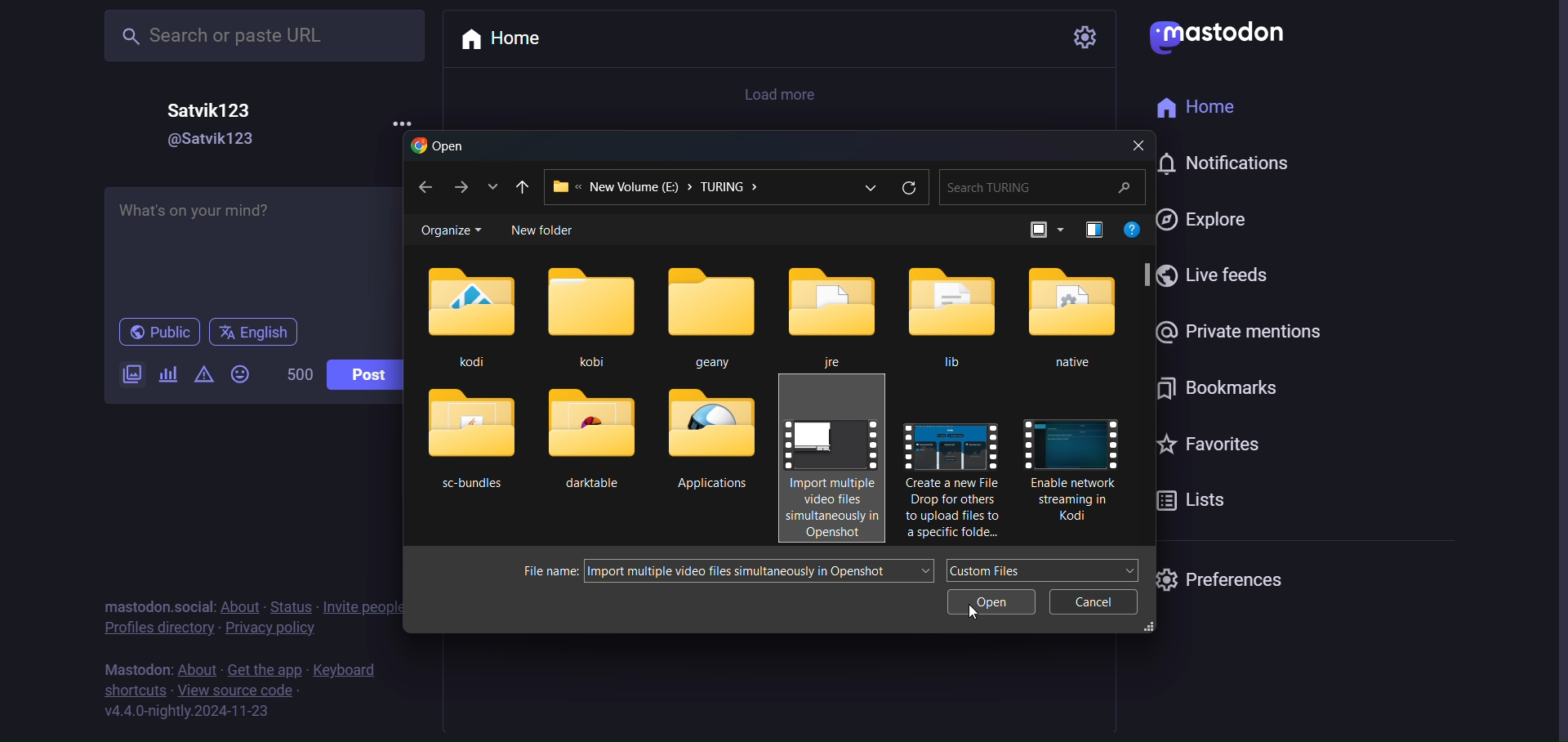 This screenshot has width=1568, height=742. What do you see at coordinates (549, 231) in the screenshot?
I see `new folder` at bounding box center [549, 231].